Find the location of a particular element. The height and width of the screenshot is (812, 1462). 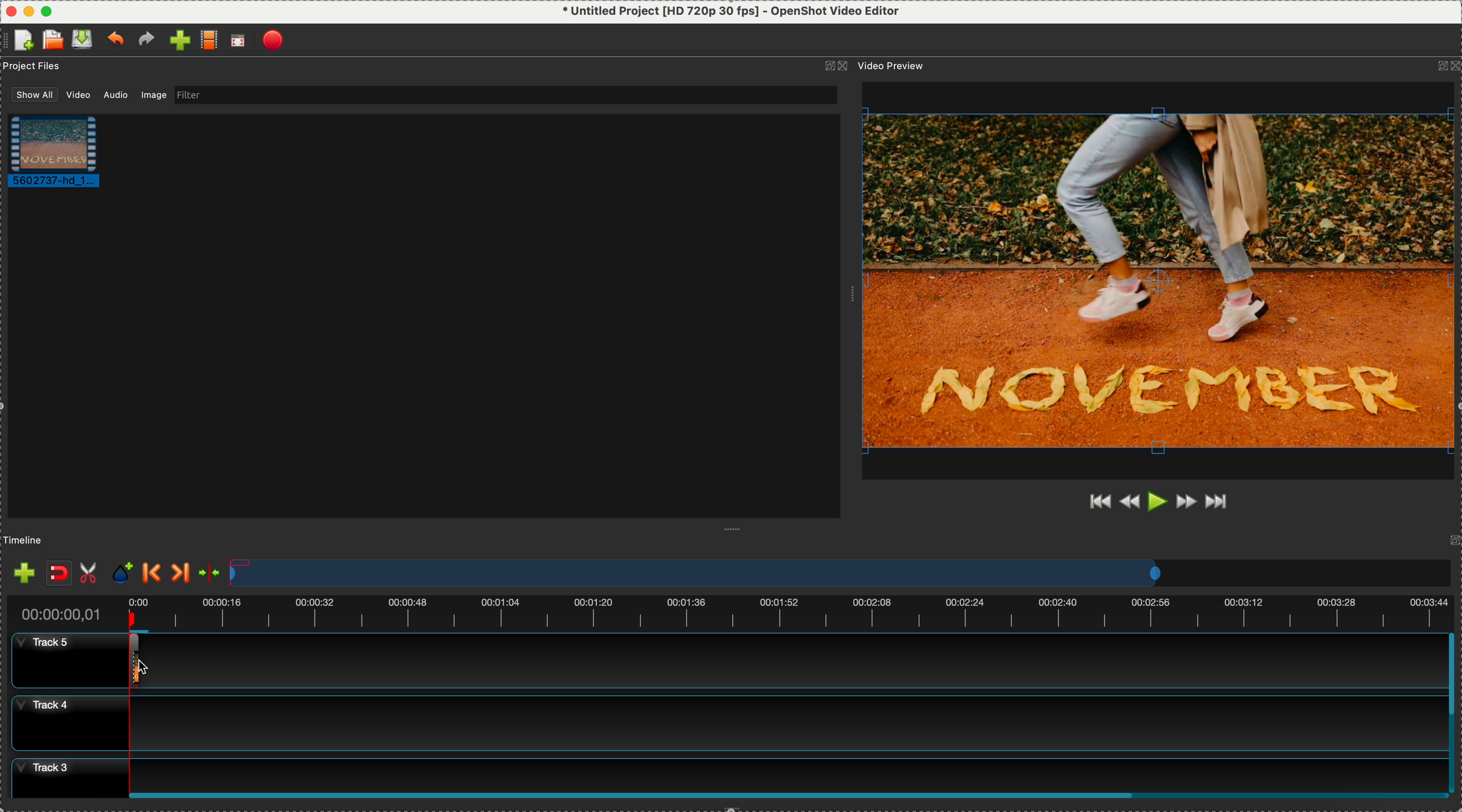

audio is located at coordinates (113, 96).